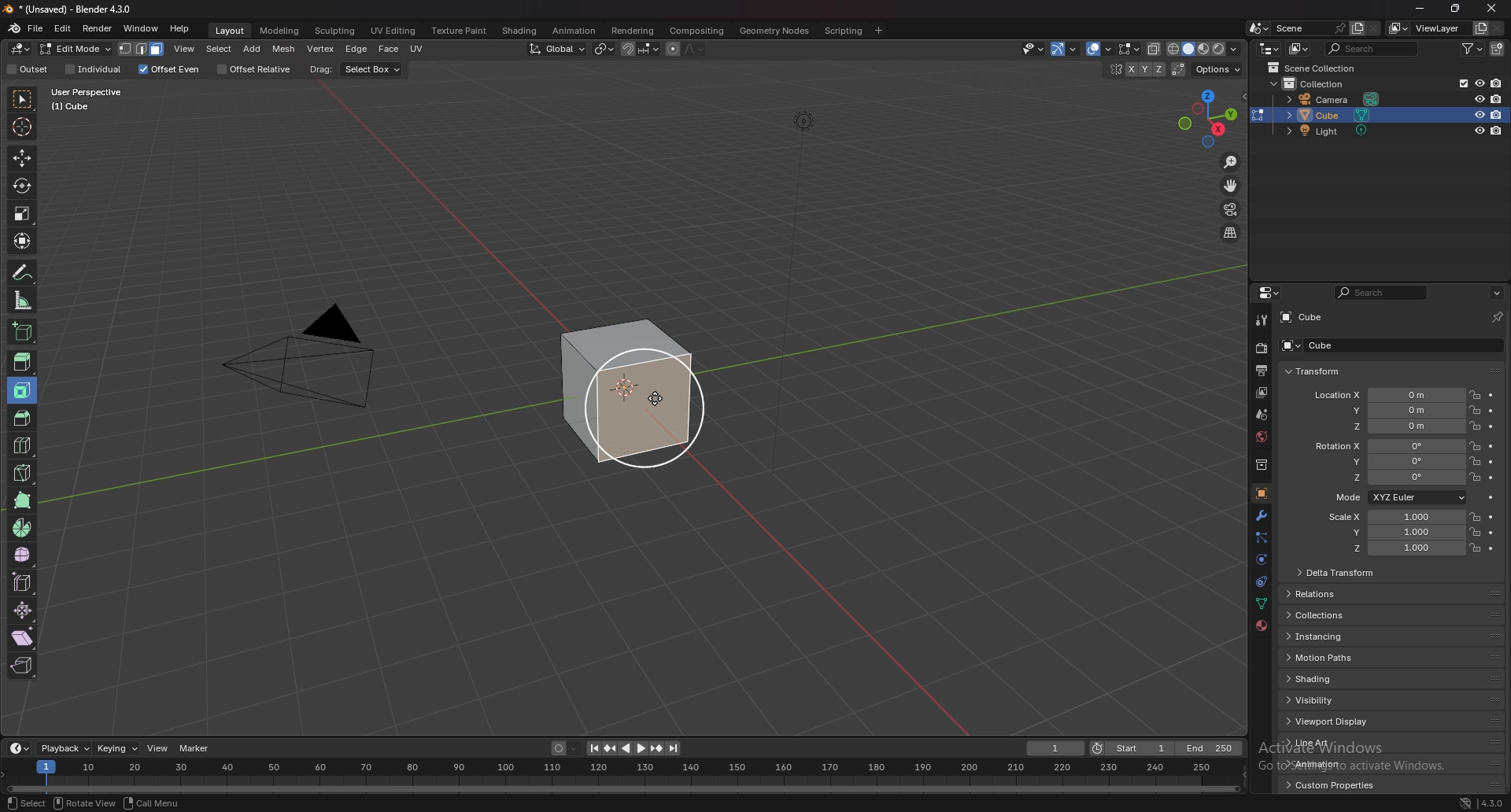 The width and height of the screenshot is (1511, 812). Describe the element at coordinates (621, 774) in the screenshot. I see `` at that location.